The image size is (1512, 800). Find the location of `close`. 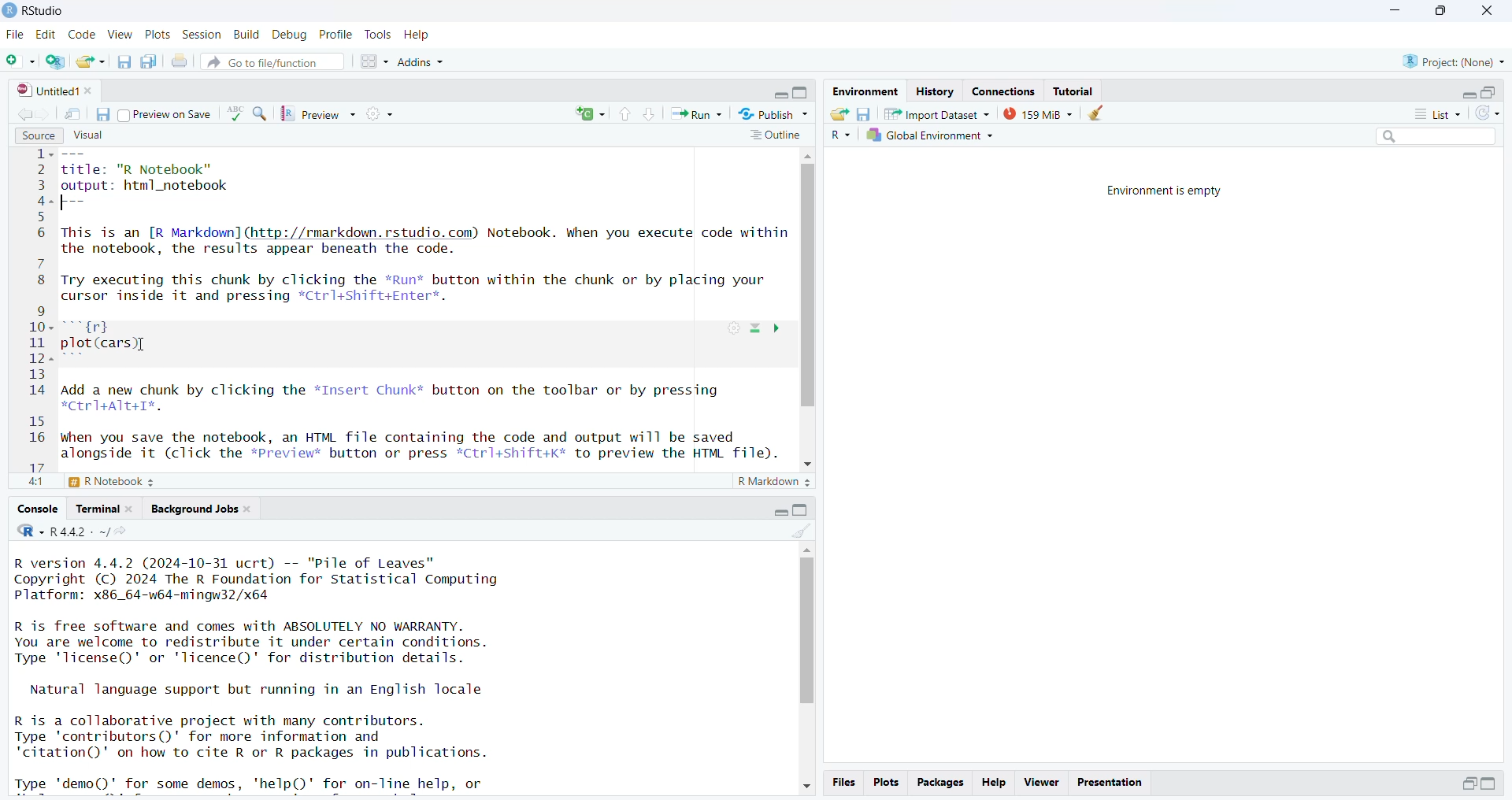

close is located at coordinates (1484, 10).